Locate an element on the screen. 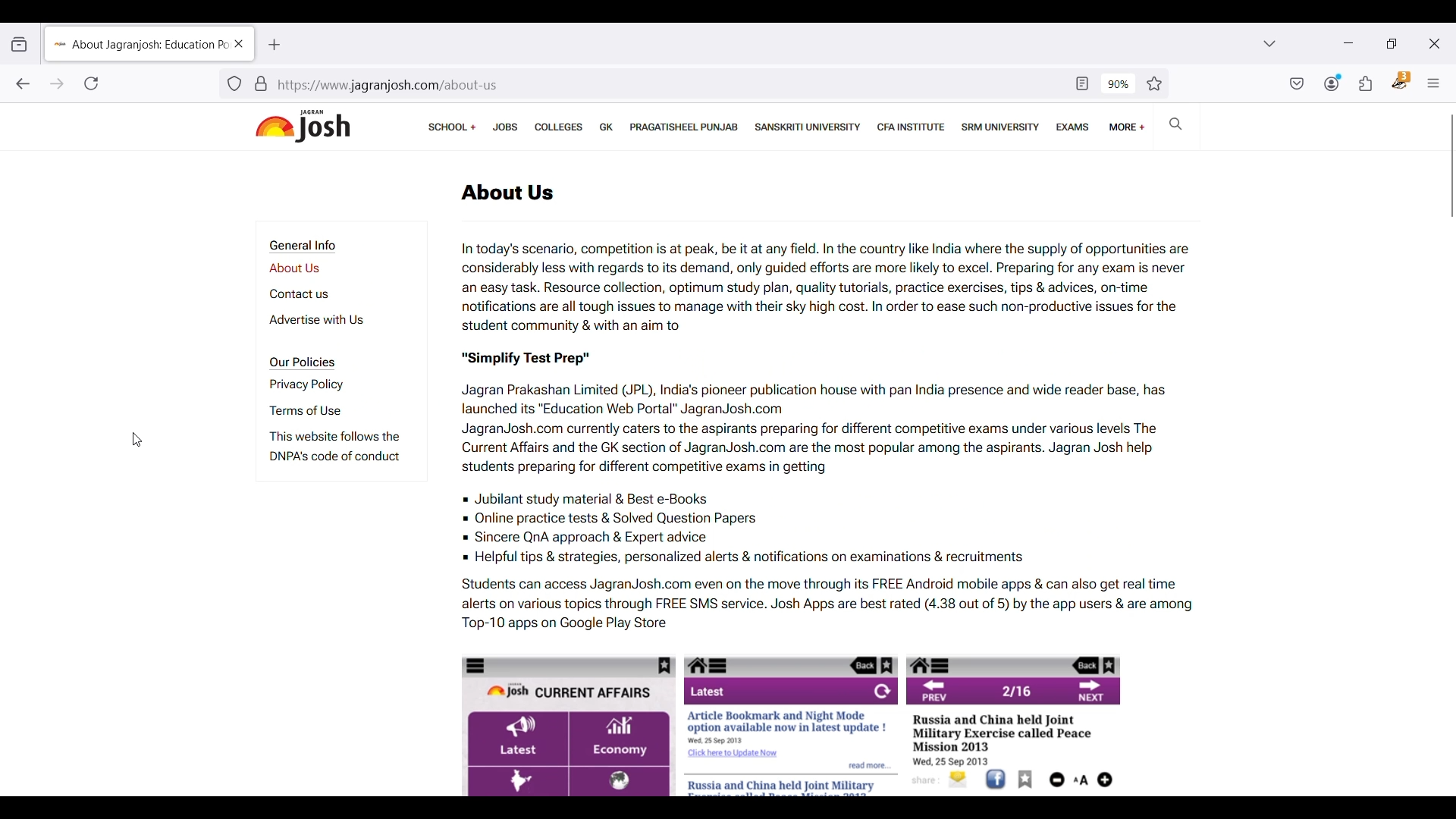 This screenshot has width=1456, height=819. Jagran josh logo is located at coordinates (303, 127).